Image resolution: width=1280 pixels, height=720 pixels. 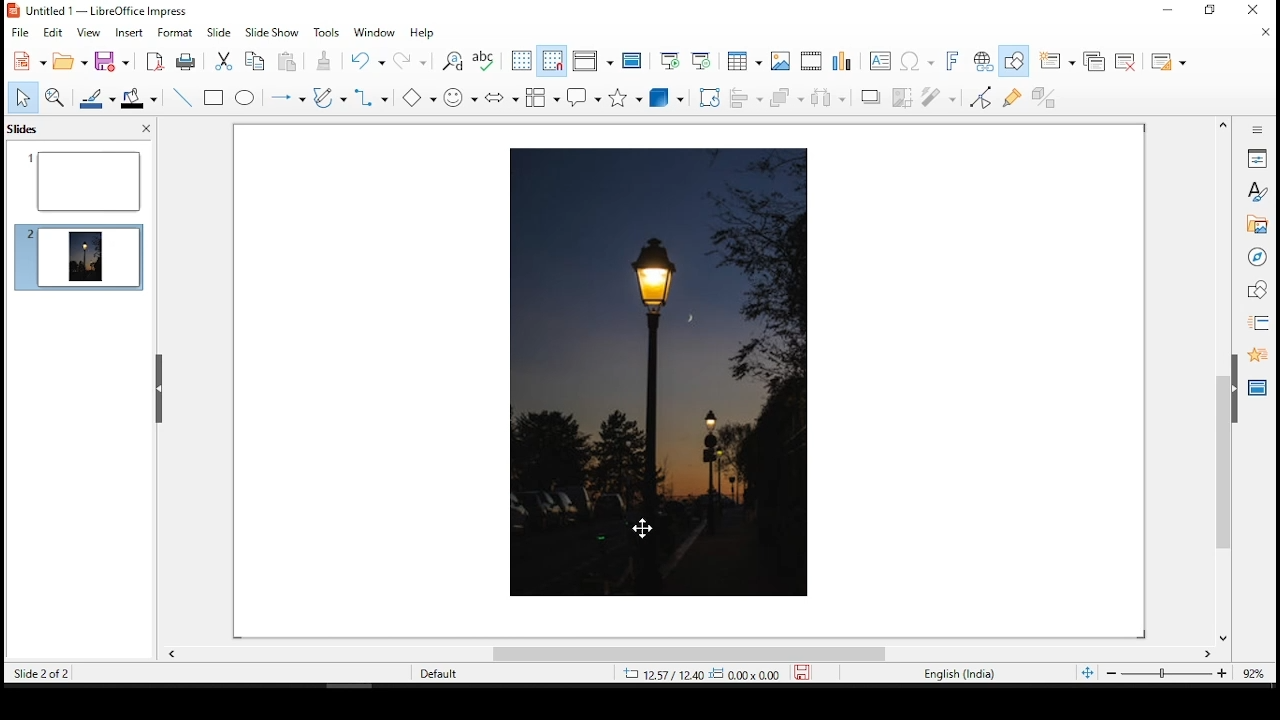 I want to click on print, so click(x=186, y=62).